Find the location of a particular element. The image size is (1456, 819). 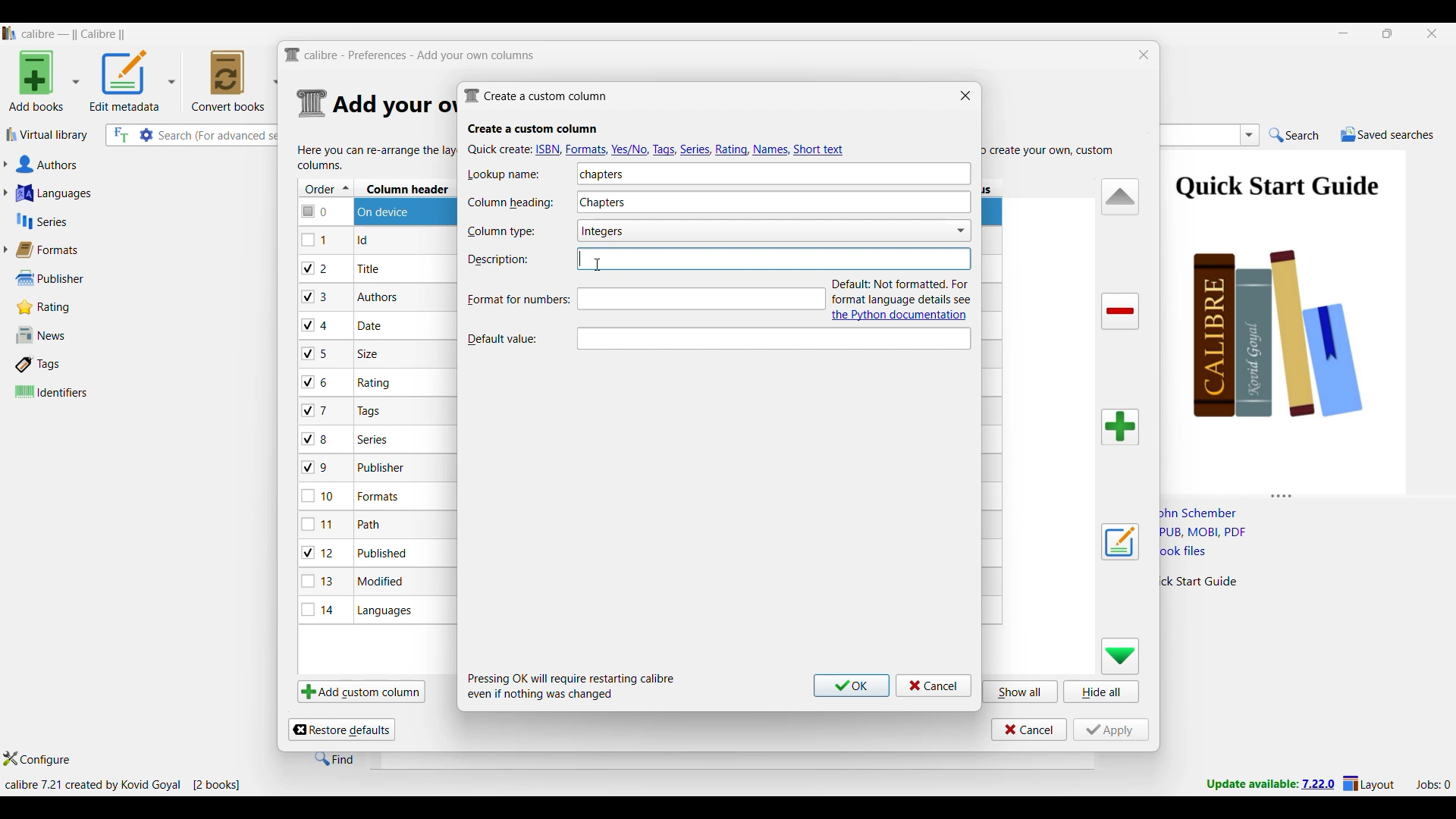

Text is located at coordinates (792, 259).